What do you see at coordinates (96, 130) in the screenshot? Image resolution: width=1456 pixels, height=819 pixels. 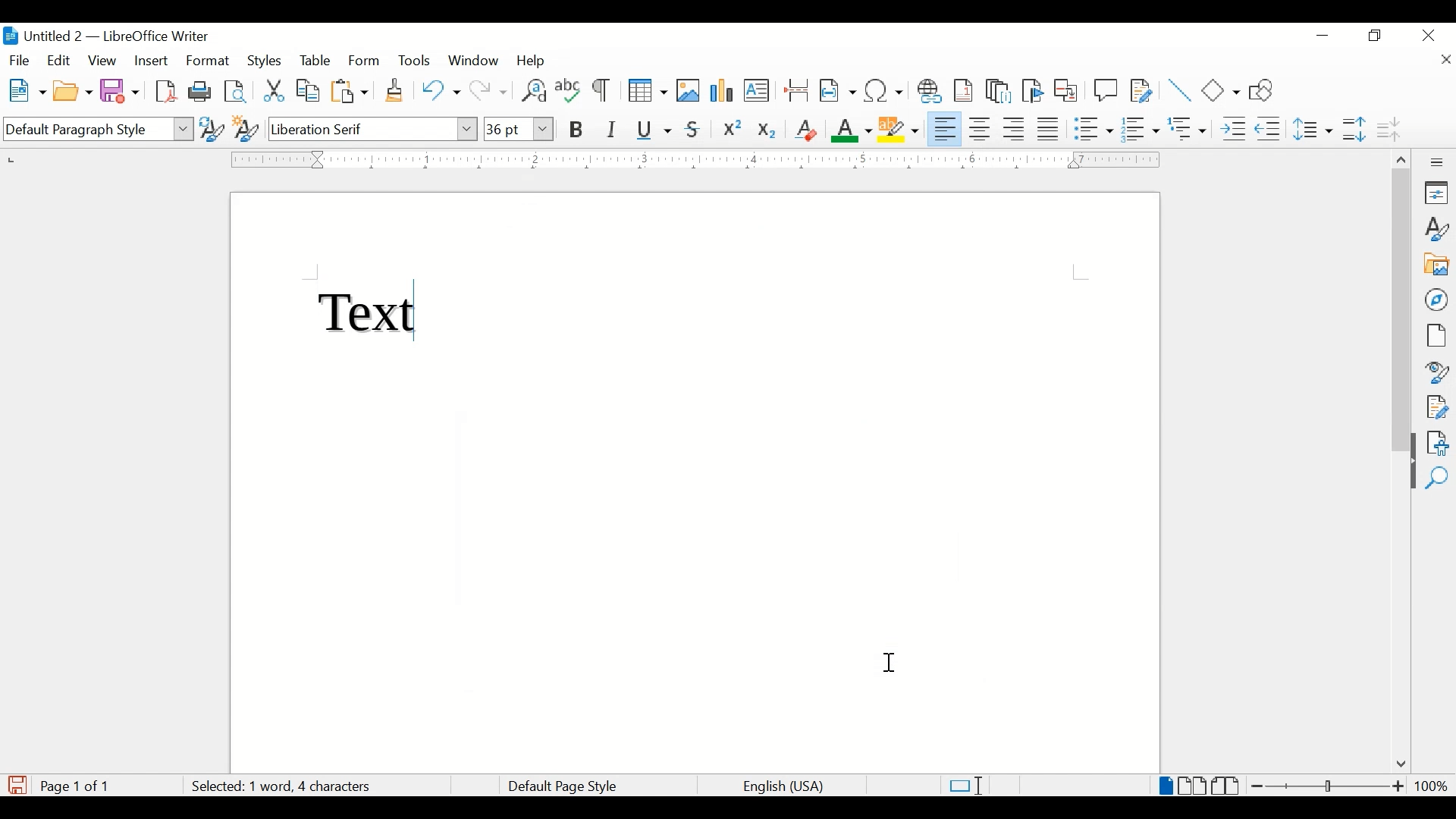 I see `default paragraph style` at bounding box center [96, 130].